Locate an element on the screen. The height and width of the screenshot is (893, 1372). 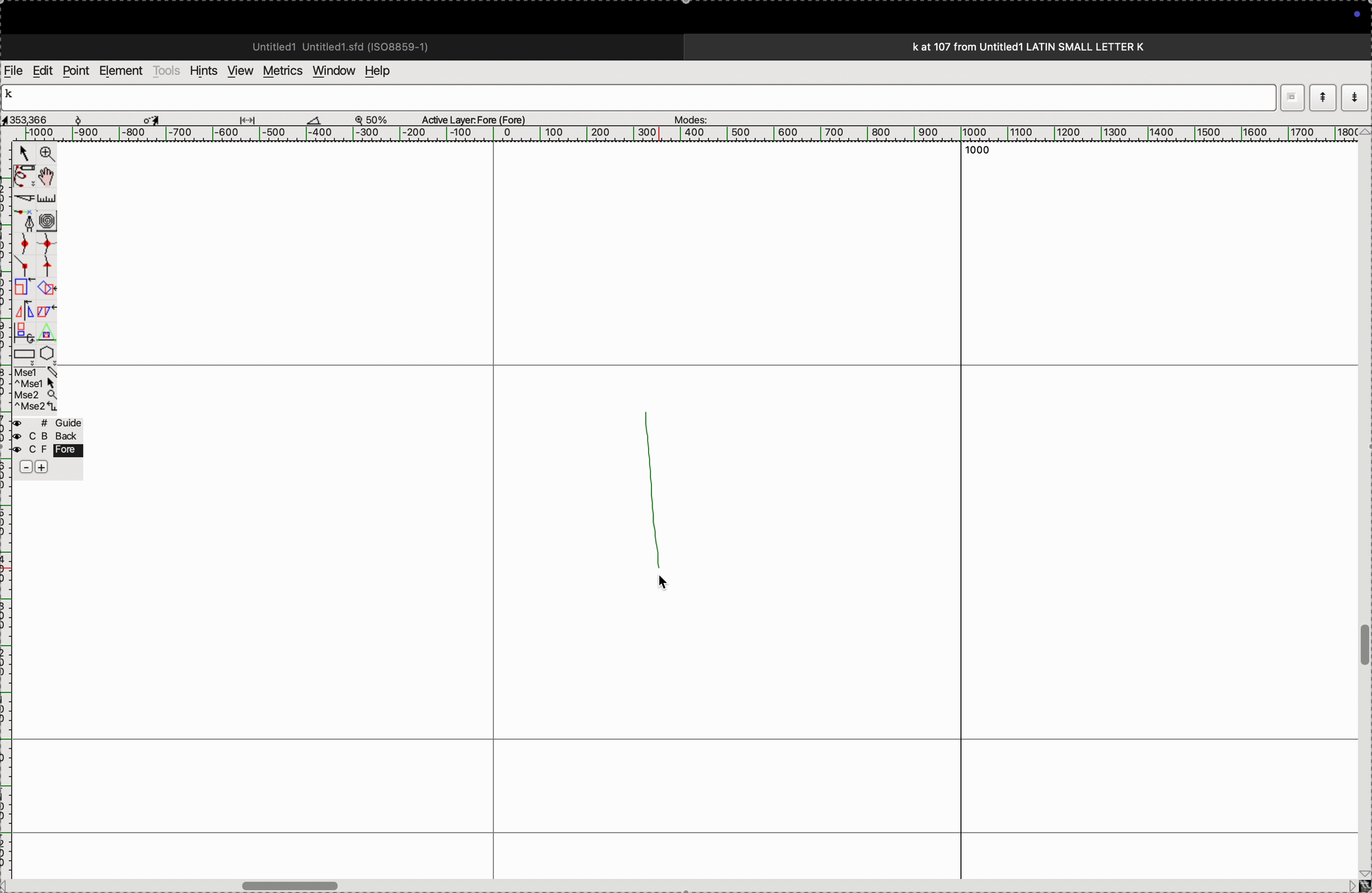
restore down is located at coordinates (1290, 97).